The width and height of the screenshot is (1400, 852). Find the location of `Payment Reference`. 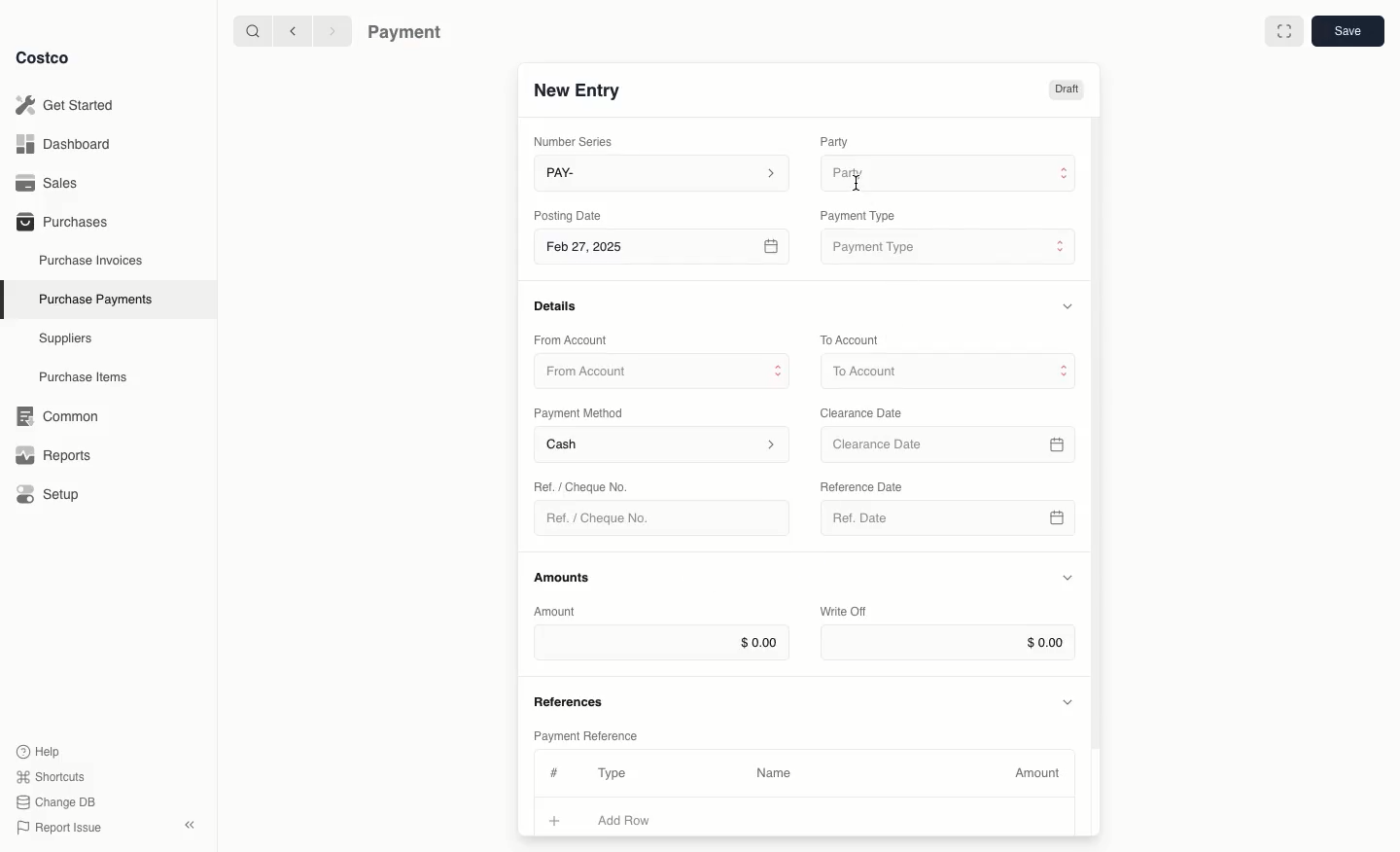

Payment Reference is located at coordinates (584, 733).